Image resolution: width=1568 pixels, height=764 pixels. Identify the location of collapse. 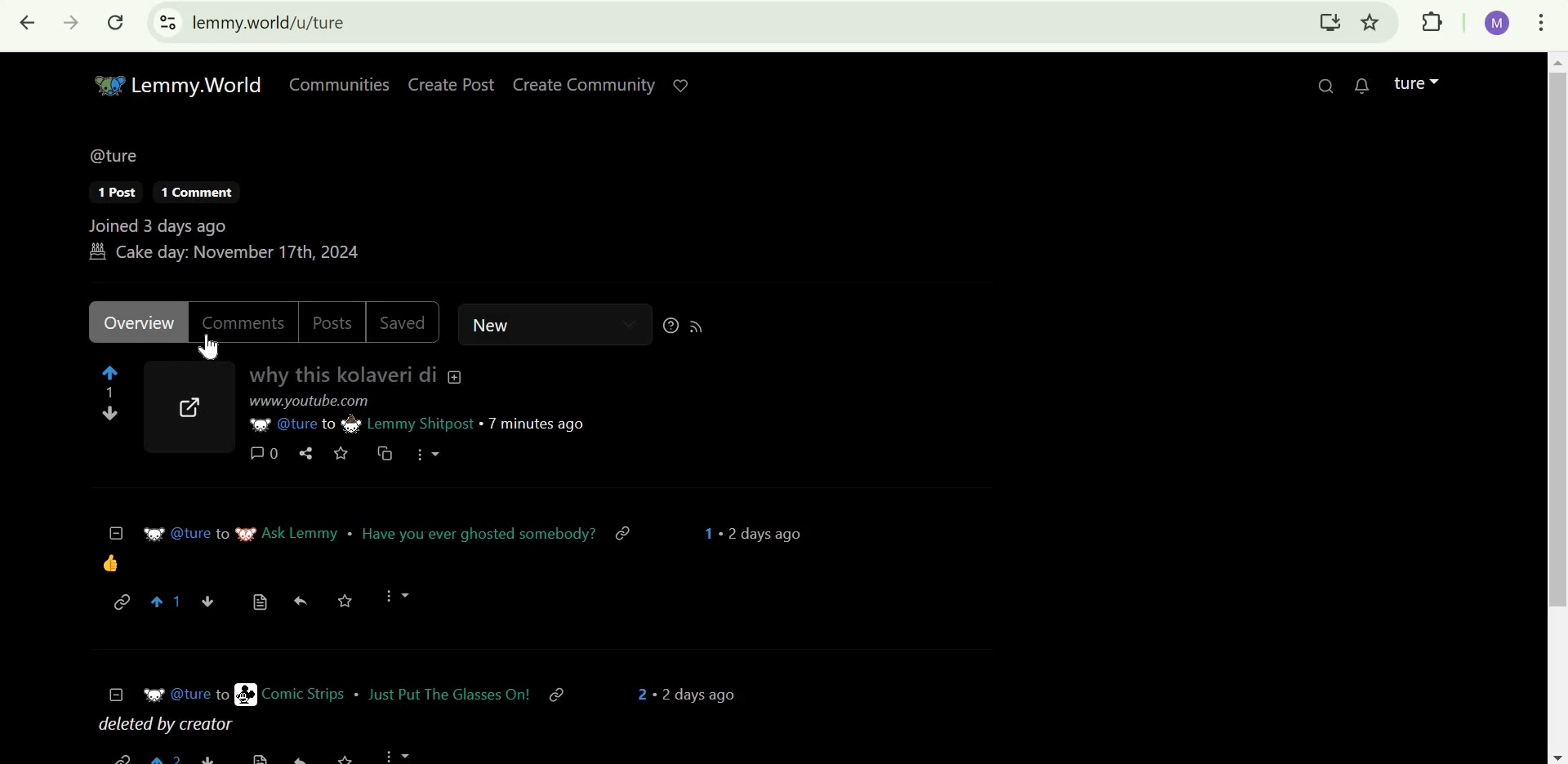
(458, 375).